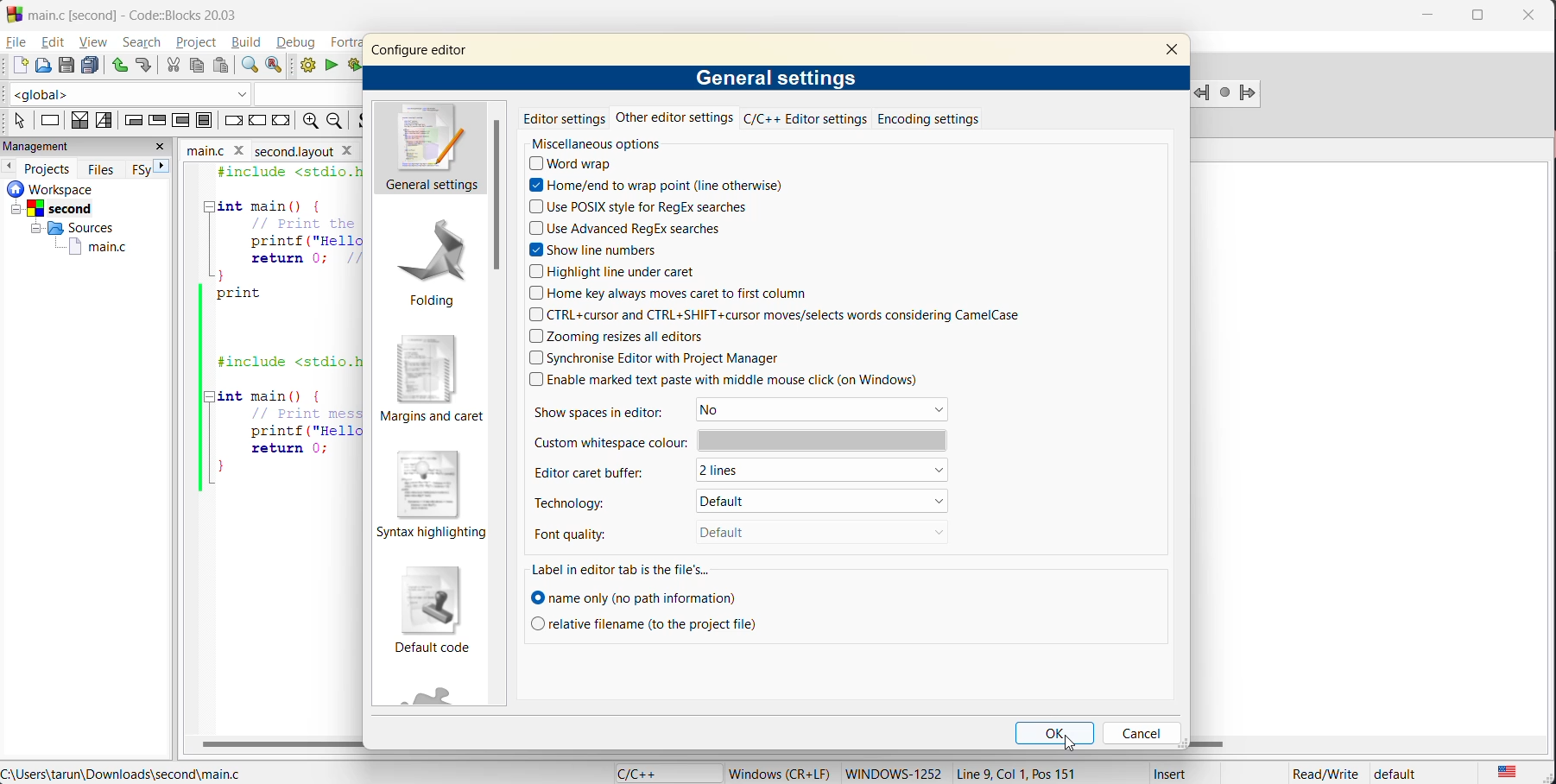  What do you see at coordinates (792, 316) in the screenshot?
I see `ctrl+cursor and ctrl+shift+cursor moves/selects words considering CamelCase` at bounding box center [792, 316].